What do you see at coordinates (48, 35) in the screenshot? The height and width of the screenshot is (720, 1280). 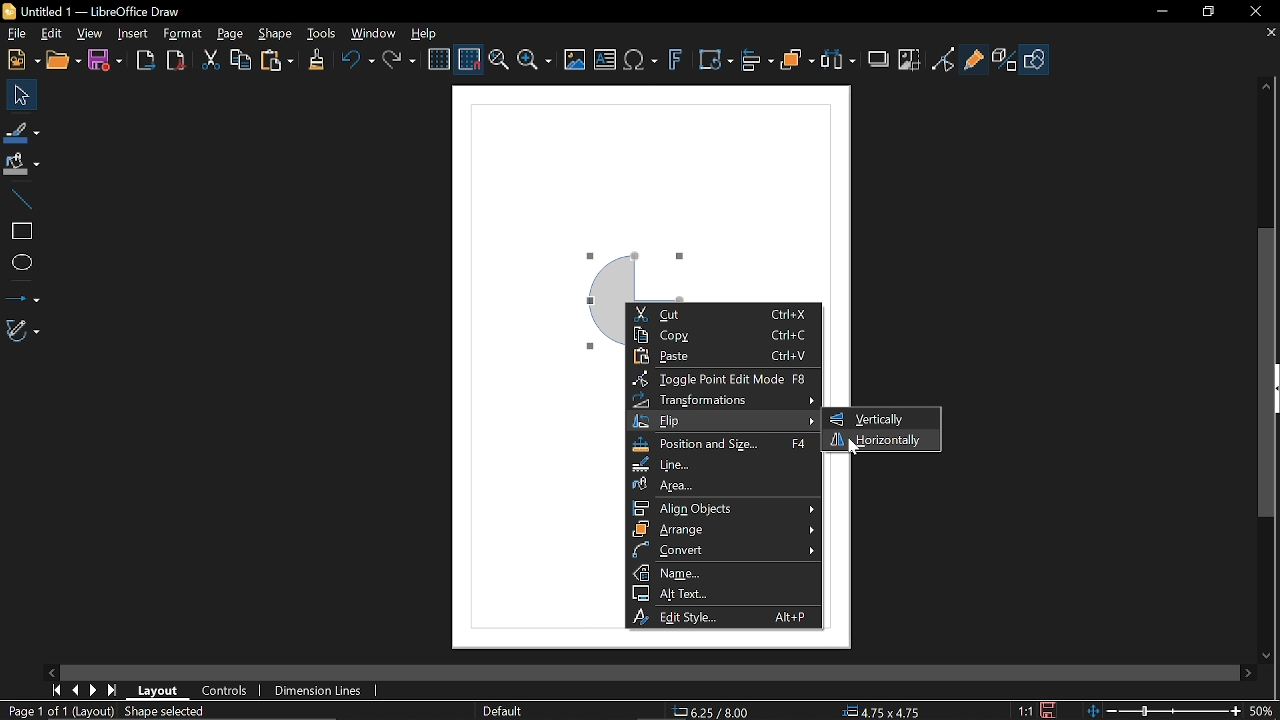 I see `Edit` at bounding box center [48, 35].